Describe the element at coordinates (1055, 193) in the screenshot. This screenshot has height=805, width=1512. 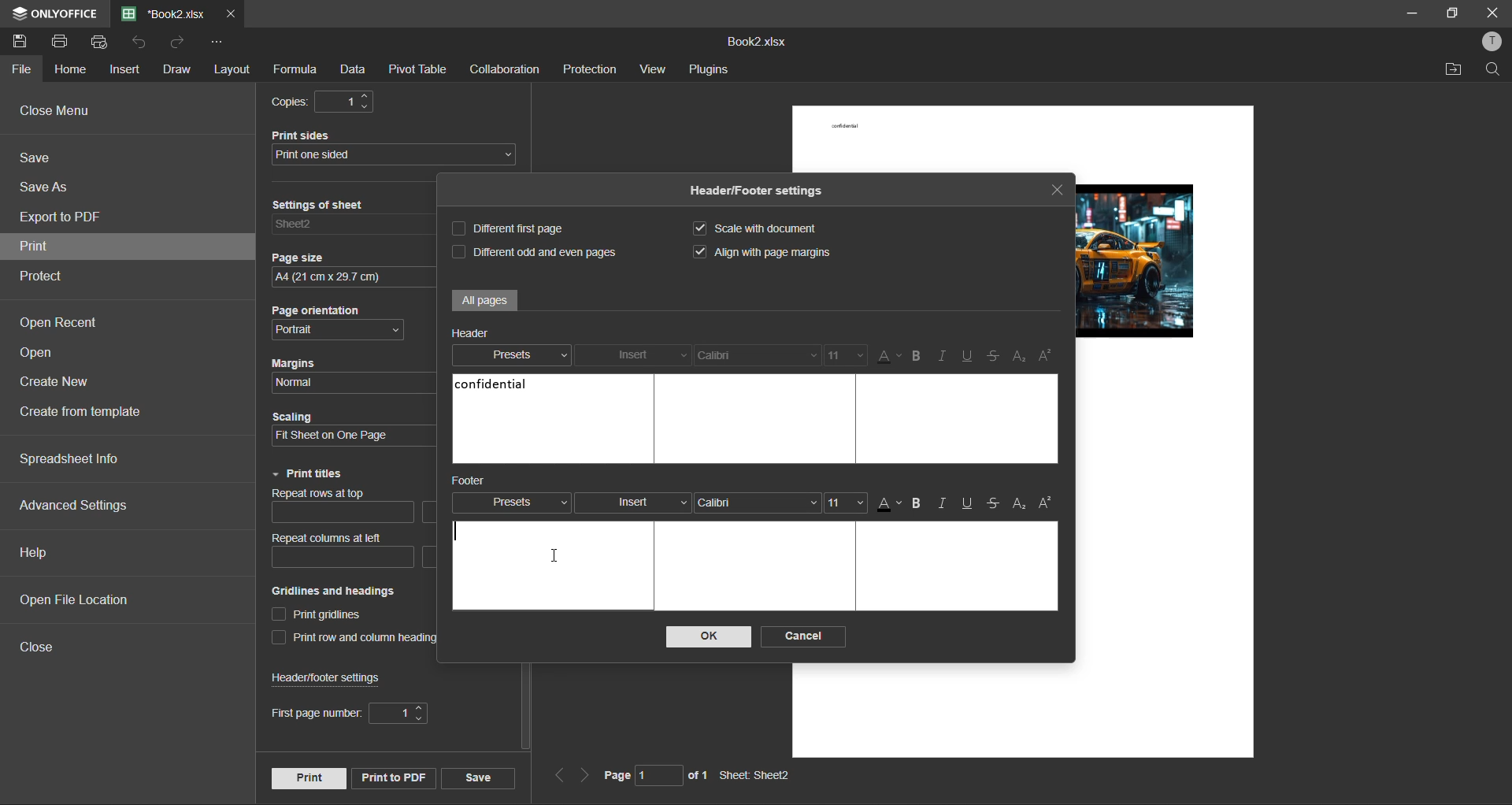
I see `close tab` at that location.